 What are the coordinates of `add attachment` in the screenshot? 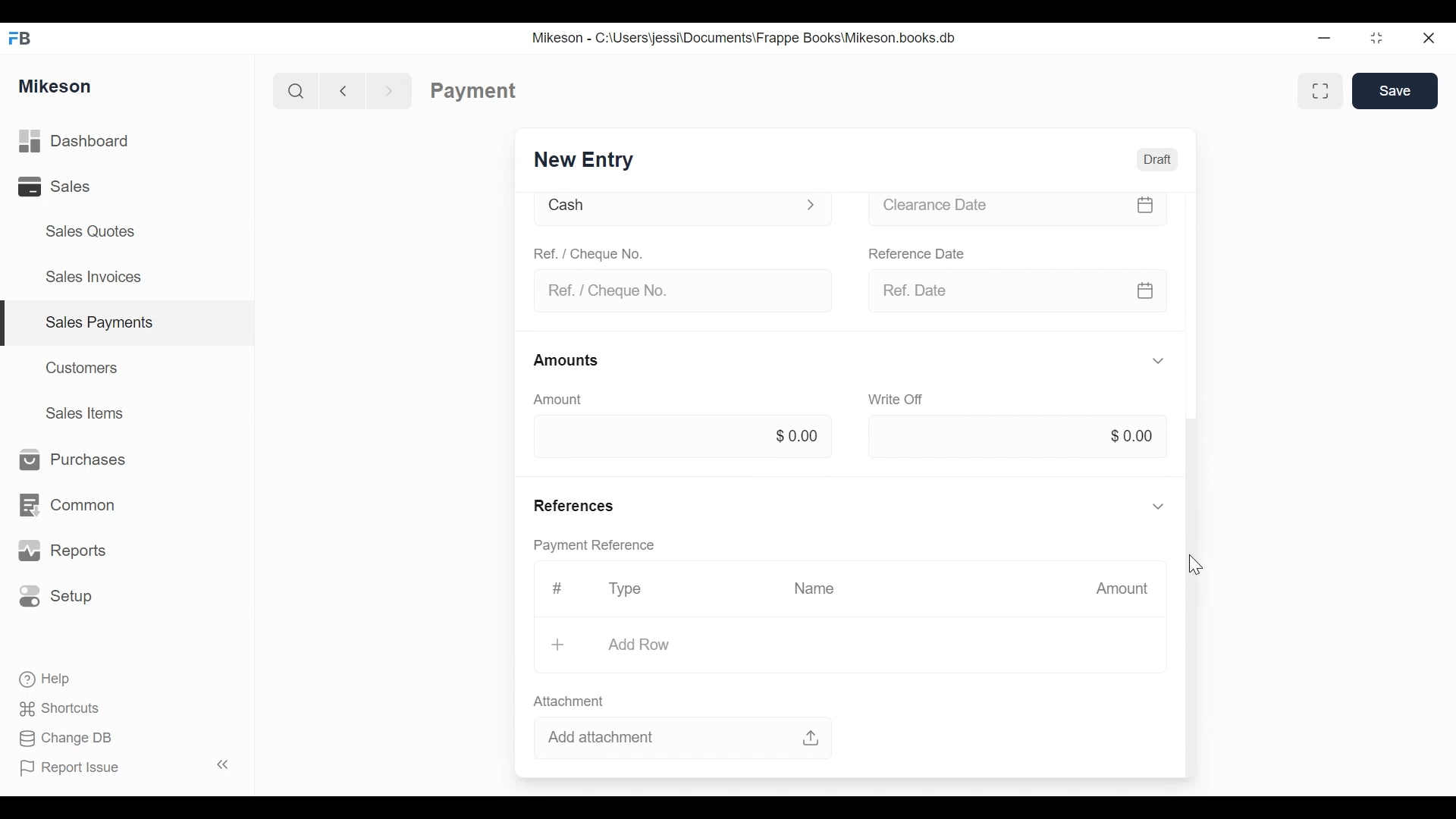 It's located at (604, 739).